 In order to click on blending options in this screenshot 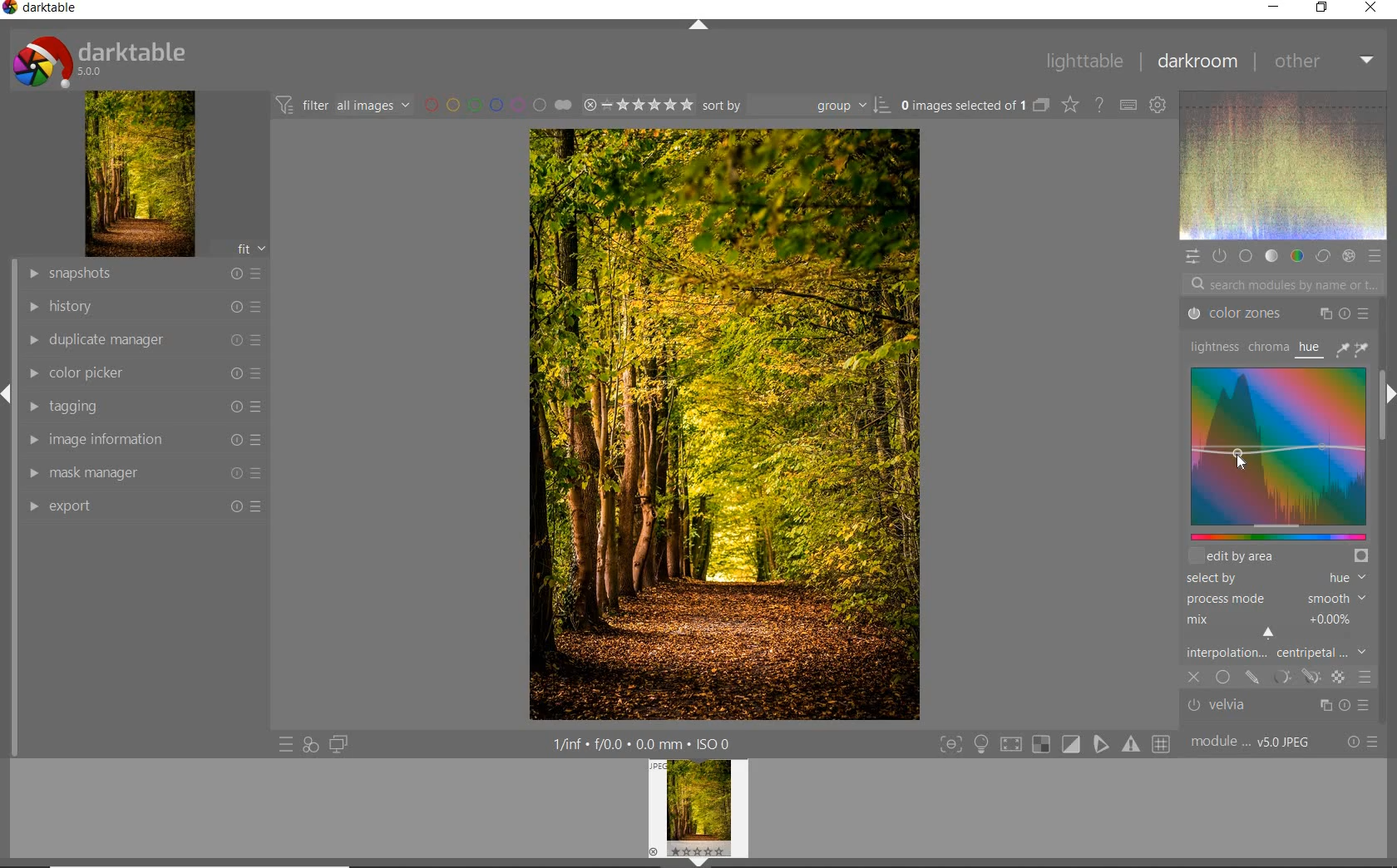, I will do `click(1365, 678)`.